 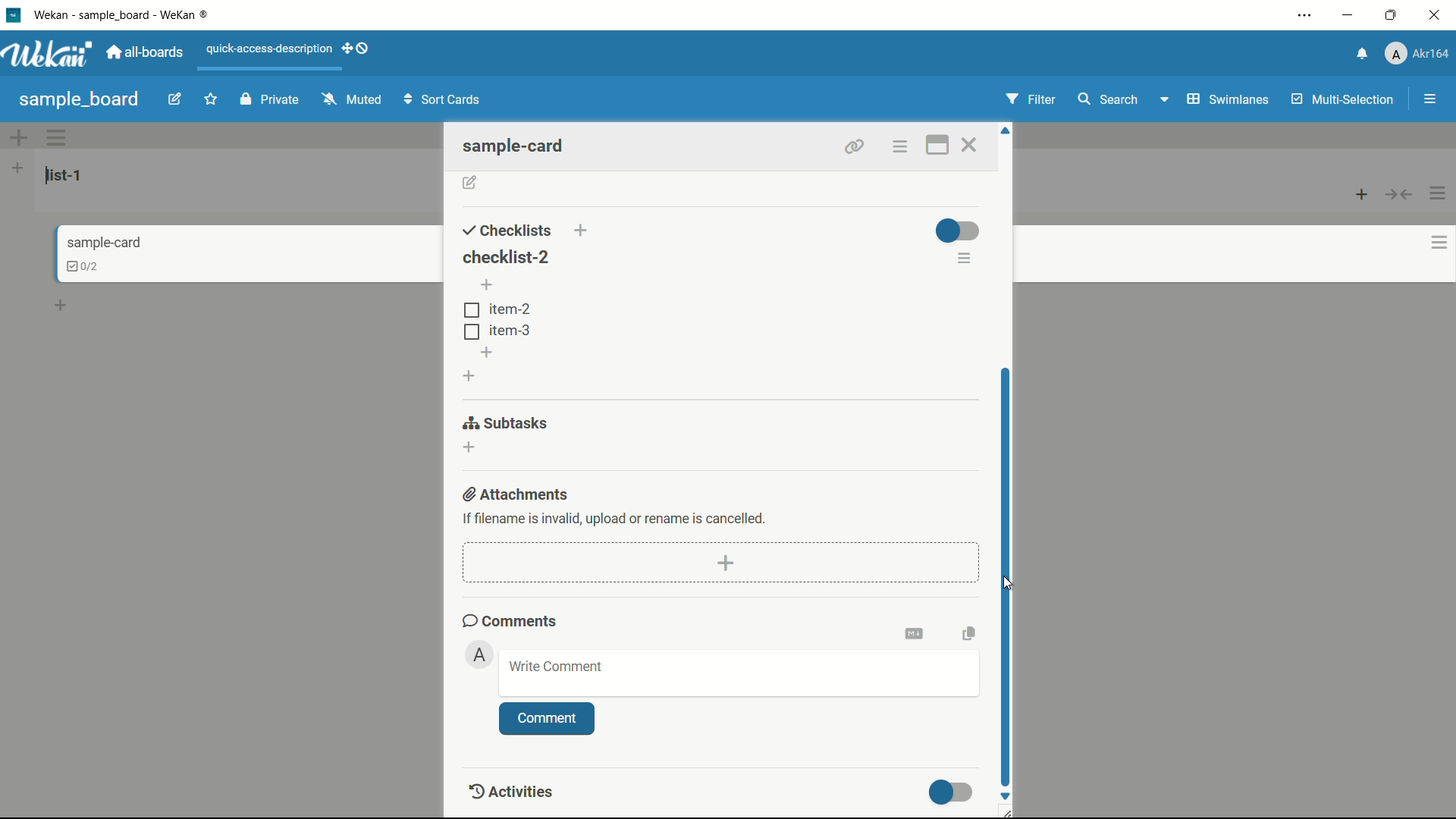 What do you see at coordinates (547, 720) in the screenshot?
I see `comment` at bounding box center [547, 720].